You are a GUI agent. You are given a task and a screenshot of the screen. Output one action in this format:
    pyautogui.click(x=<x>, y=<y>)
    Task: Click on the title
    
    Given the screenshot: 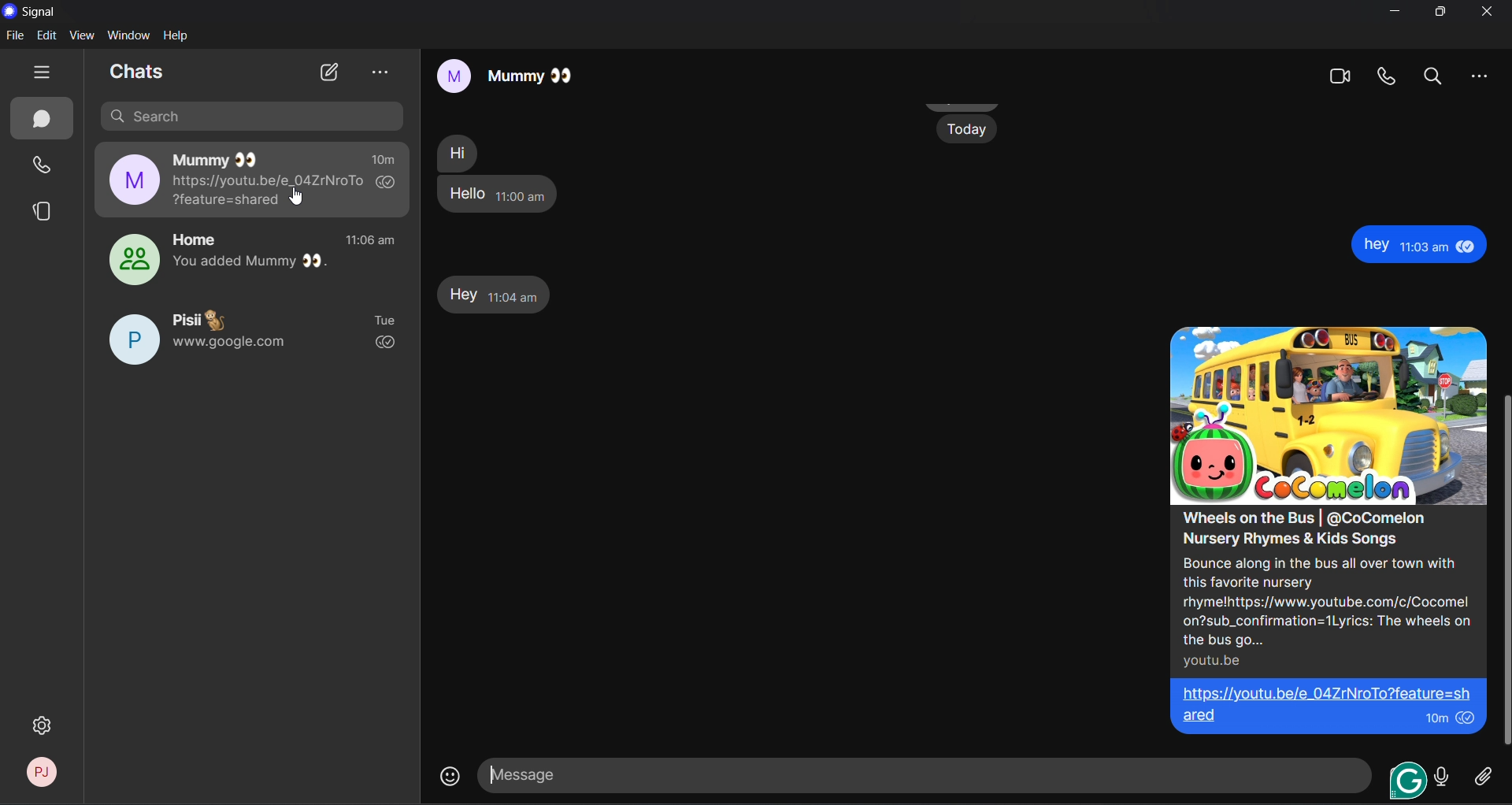 What is the action you would take?
    pyautogui.click(x=39, y=13)
    